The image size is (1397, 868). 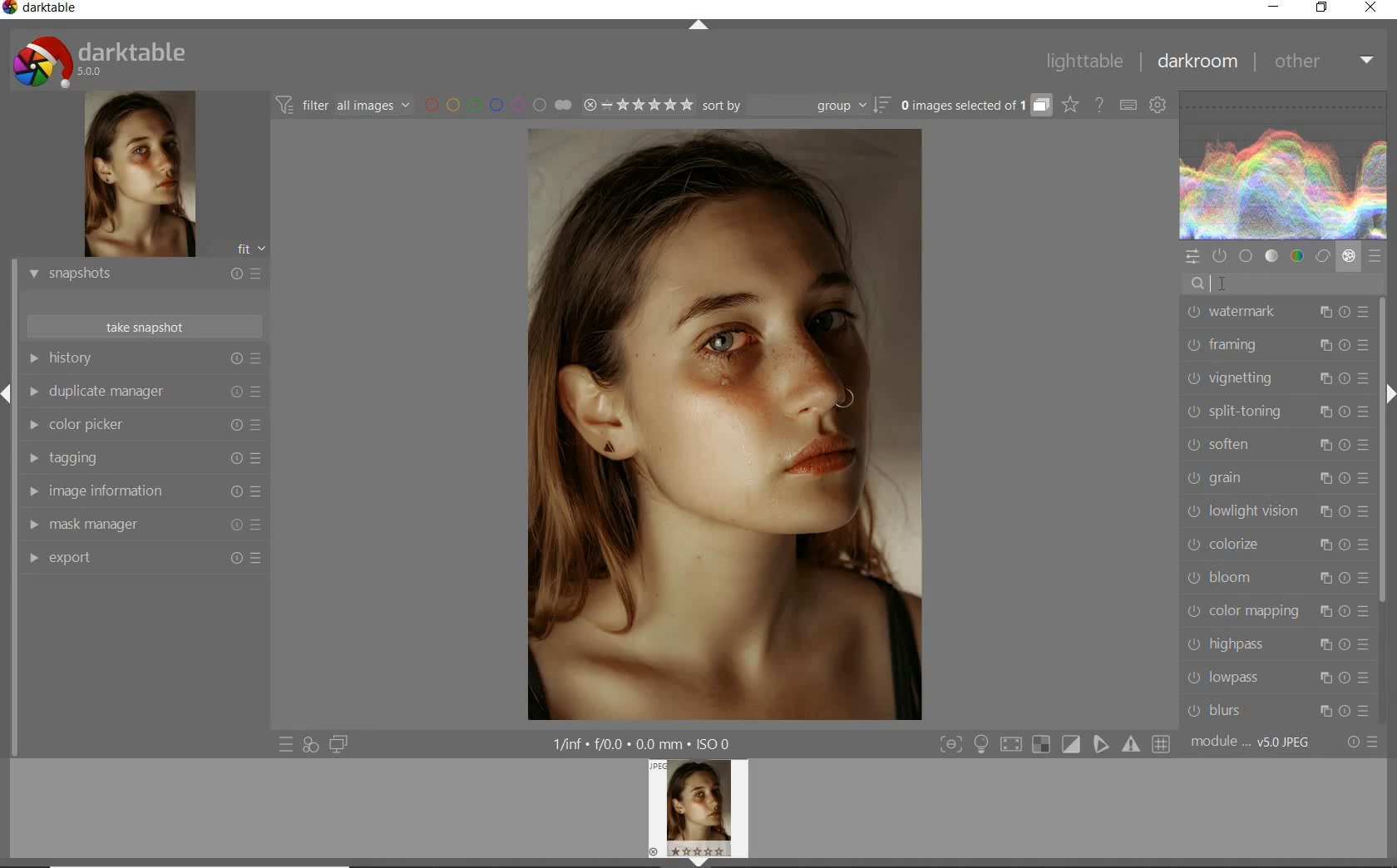 What do you see at coordinates (1277, 348) in the screenshot?
I see `framing` at bounding box center [1277, 348].